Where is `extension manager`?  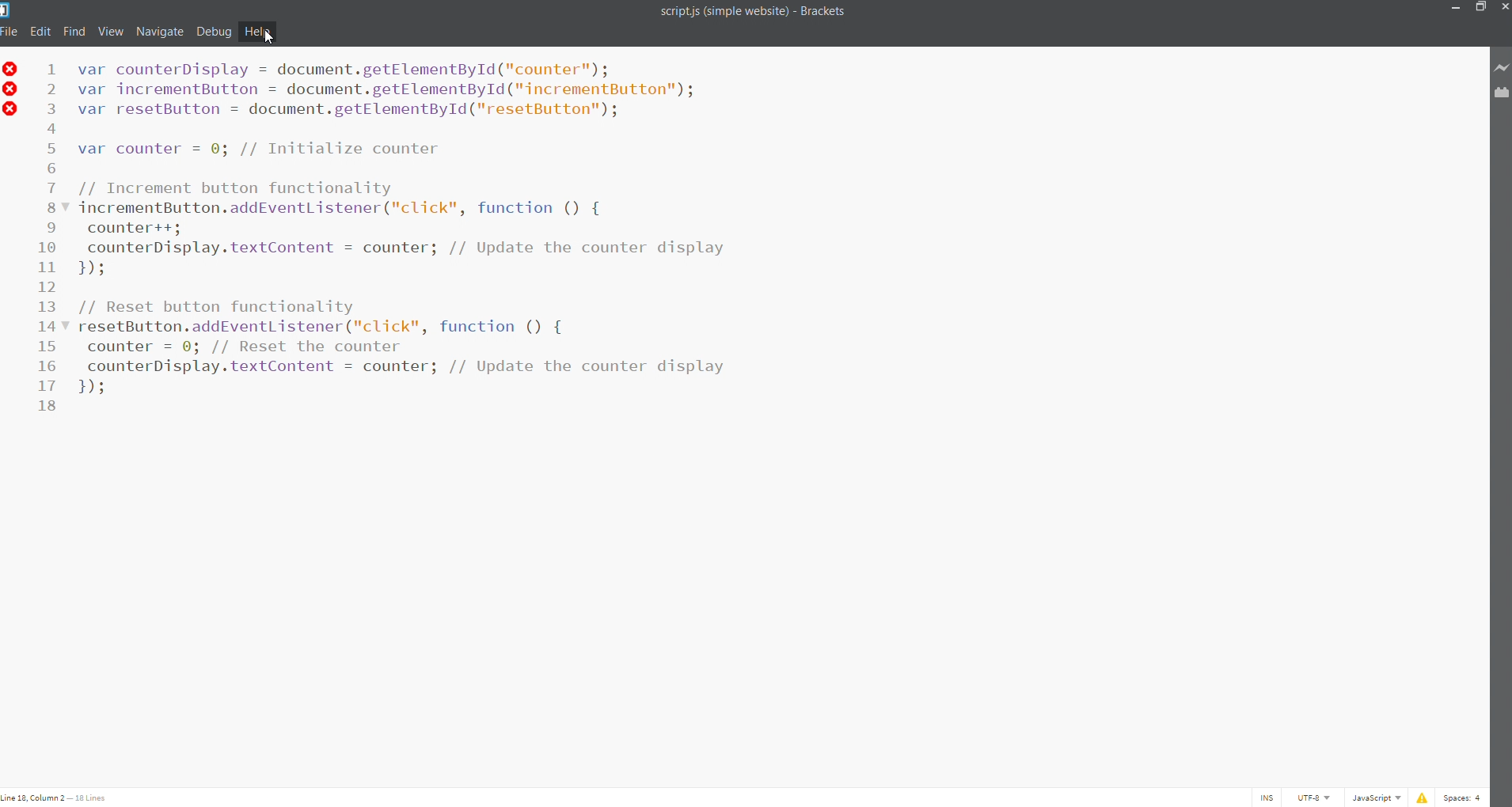 extension manager is located at coordinates (1501, 94).